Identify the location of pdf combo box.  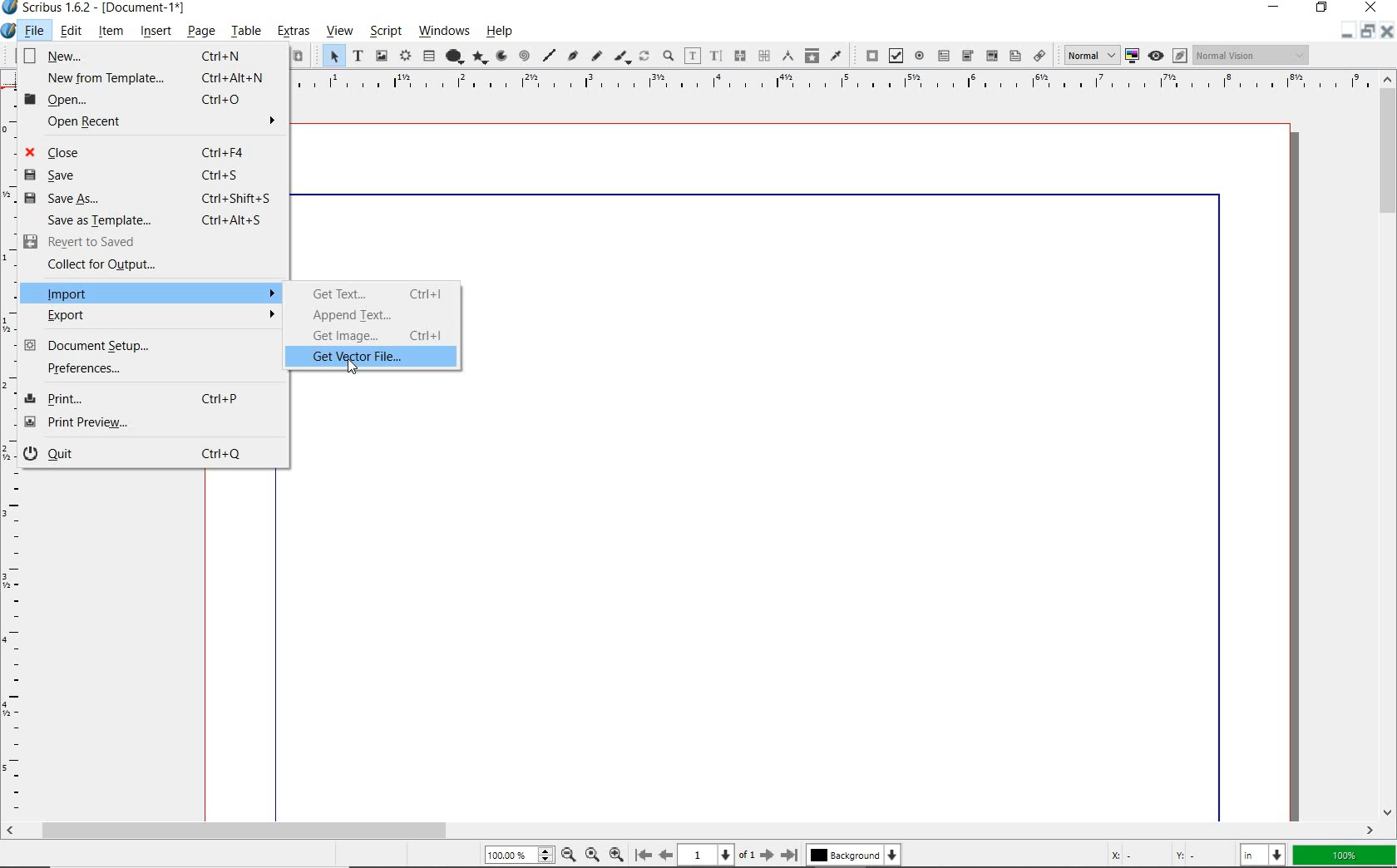
(990, 55).